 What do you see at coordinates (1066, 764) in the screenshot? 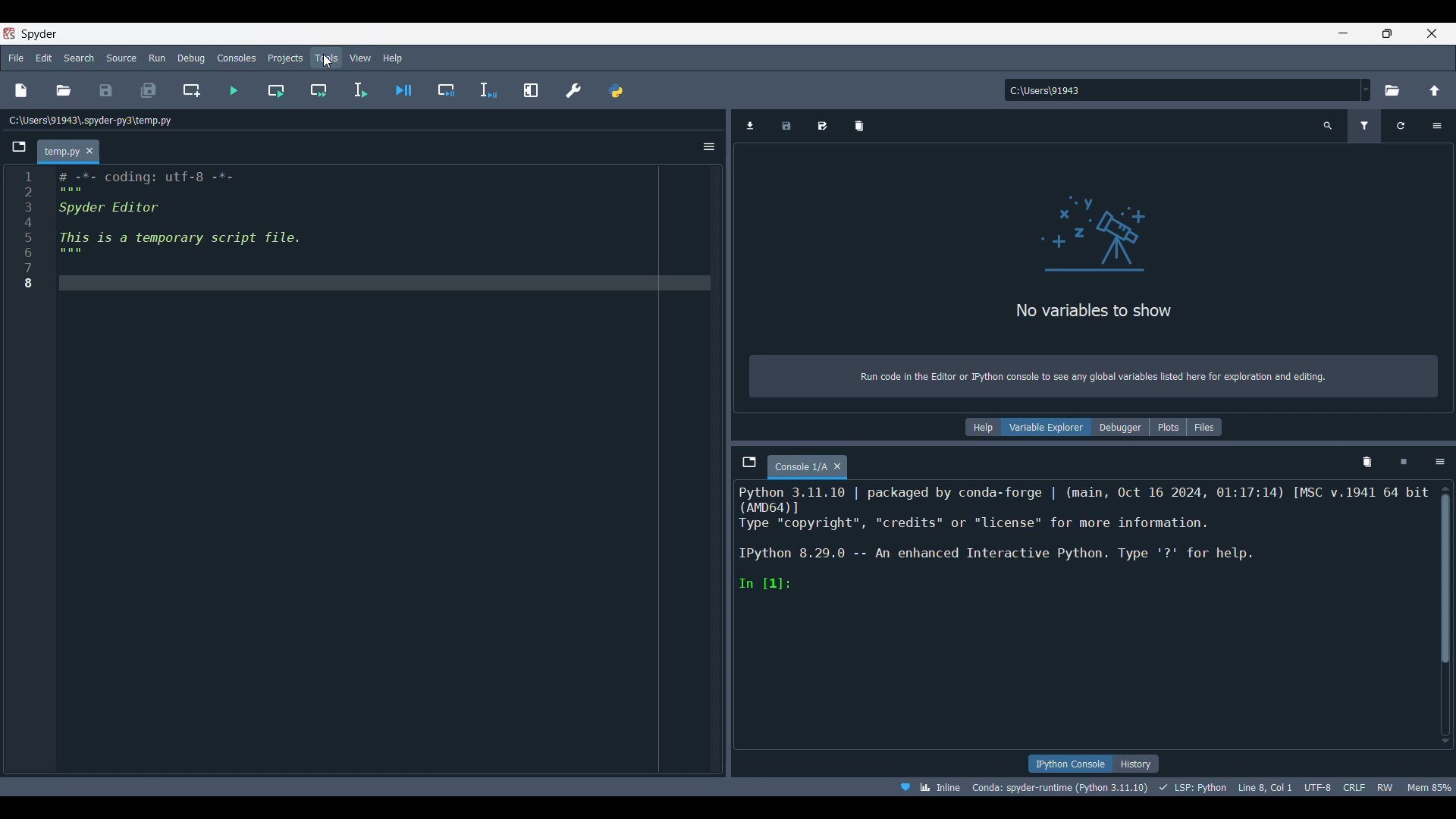
I see `IPython console` at bounding box center [1066, 764].